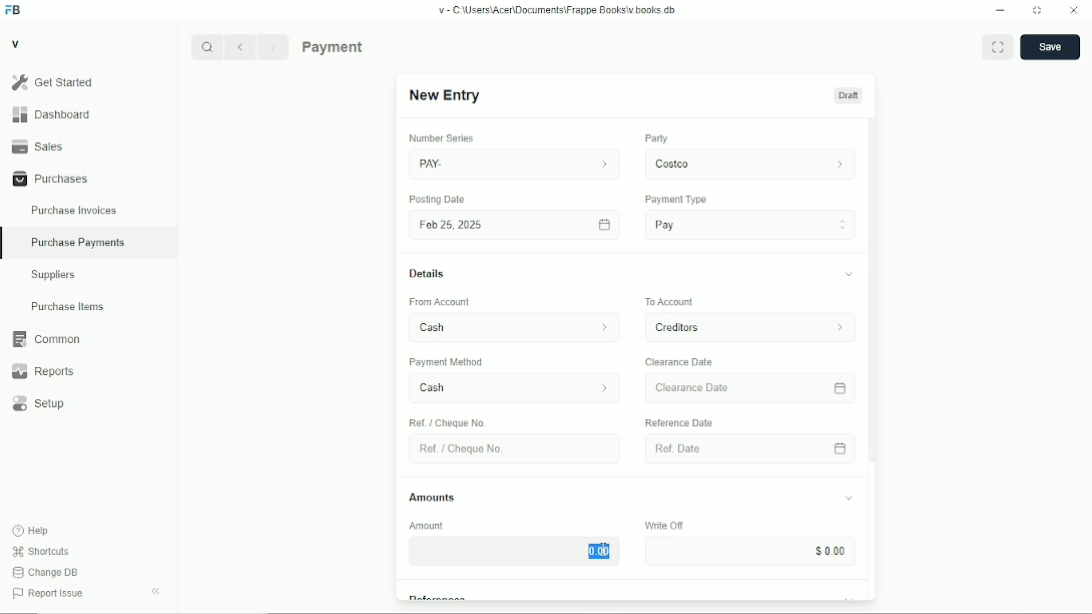 This screenshot has height=614, width=1092. I want to click on v= C Wsers\Acen\Documents\Frappe Books\v books db, so click(558, 10).